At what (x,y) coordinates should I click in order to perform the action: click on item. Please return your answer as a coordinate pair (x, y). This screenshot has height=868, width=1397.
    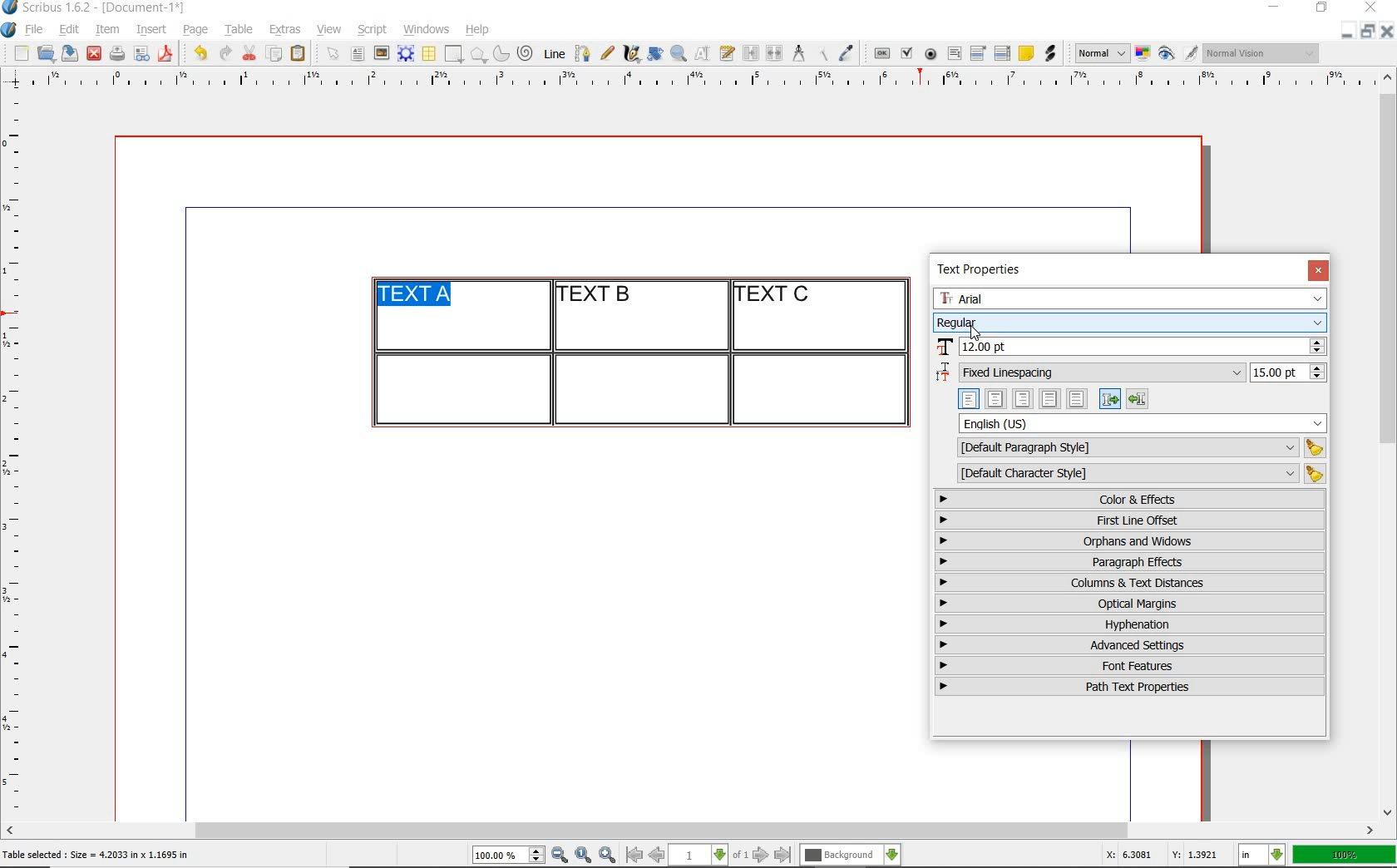
    Looking at the image, I should click on (106, 30).